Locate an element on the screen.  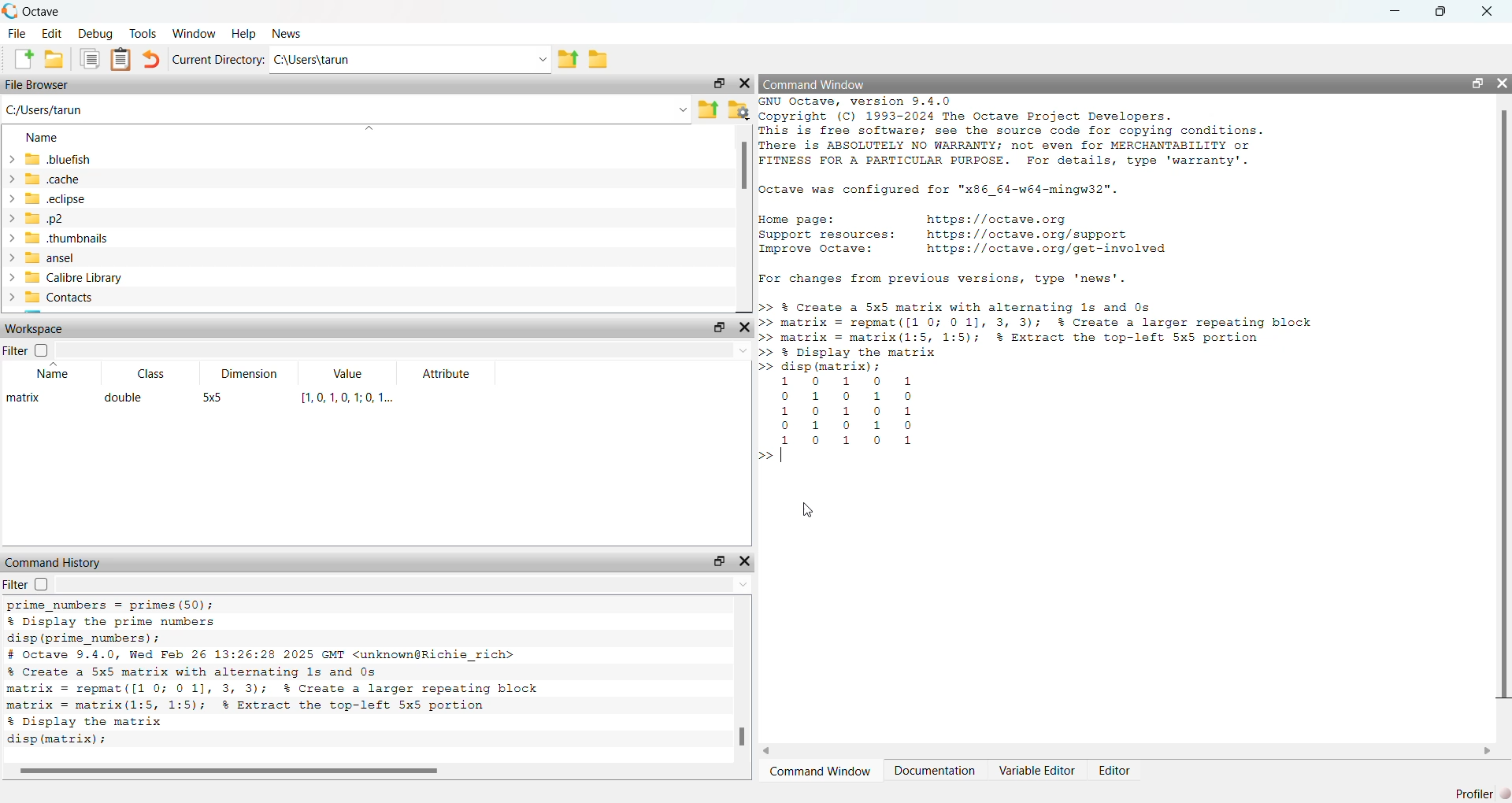
scroll bar is located at coordinates (1504, 404).